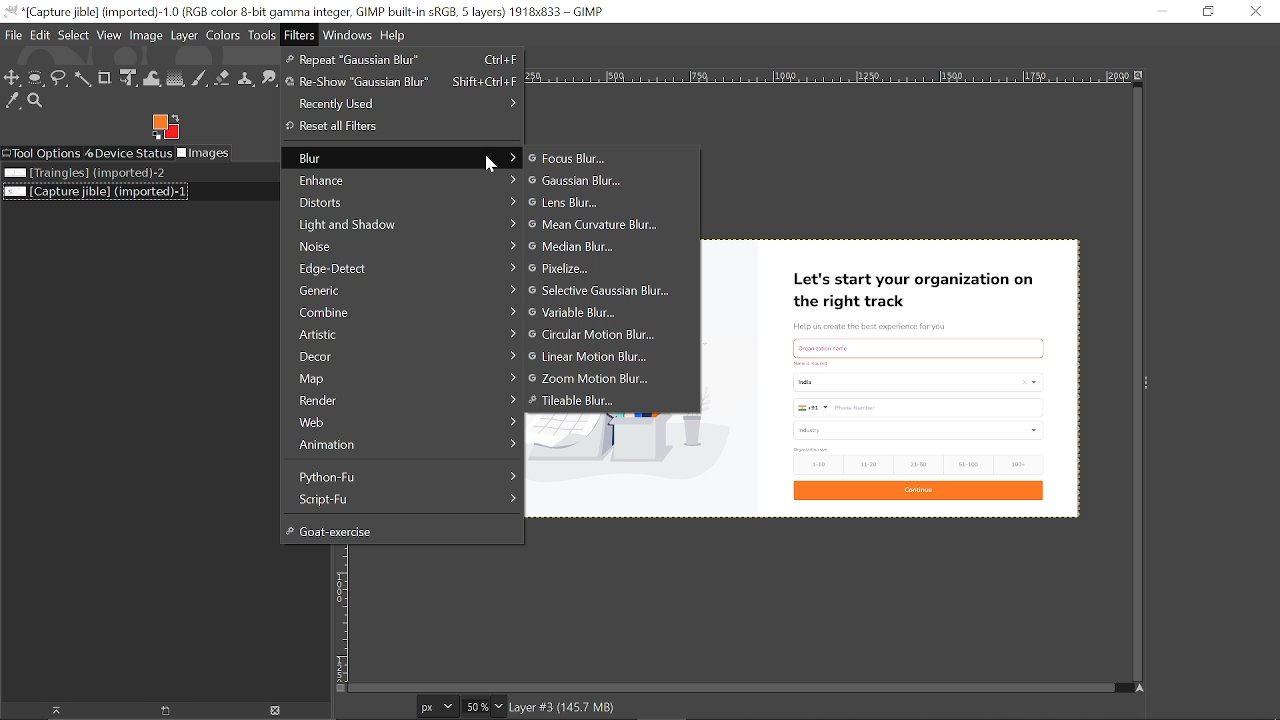 This screenshot has width=1280, height=720. I want to click on Blur, so click(401, 158).